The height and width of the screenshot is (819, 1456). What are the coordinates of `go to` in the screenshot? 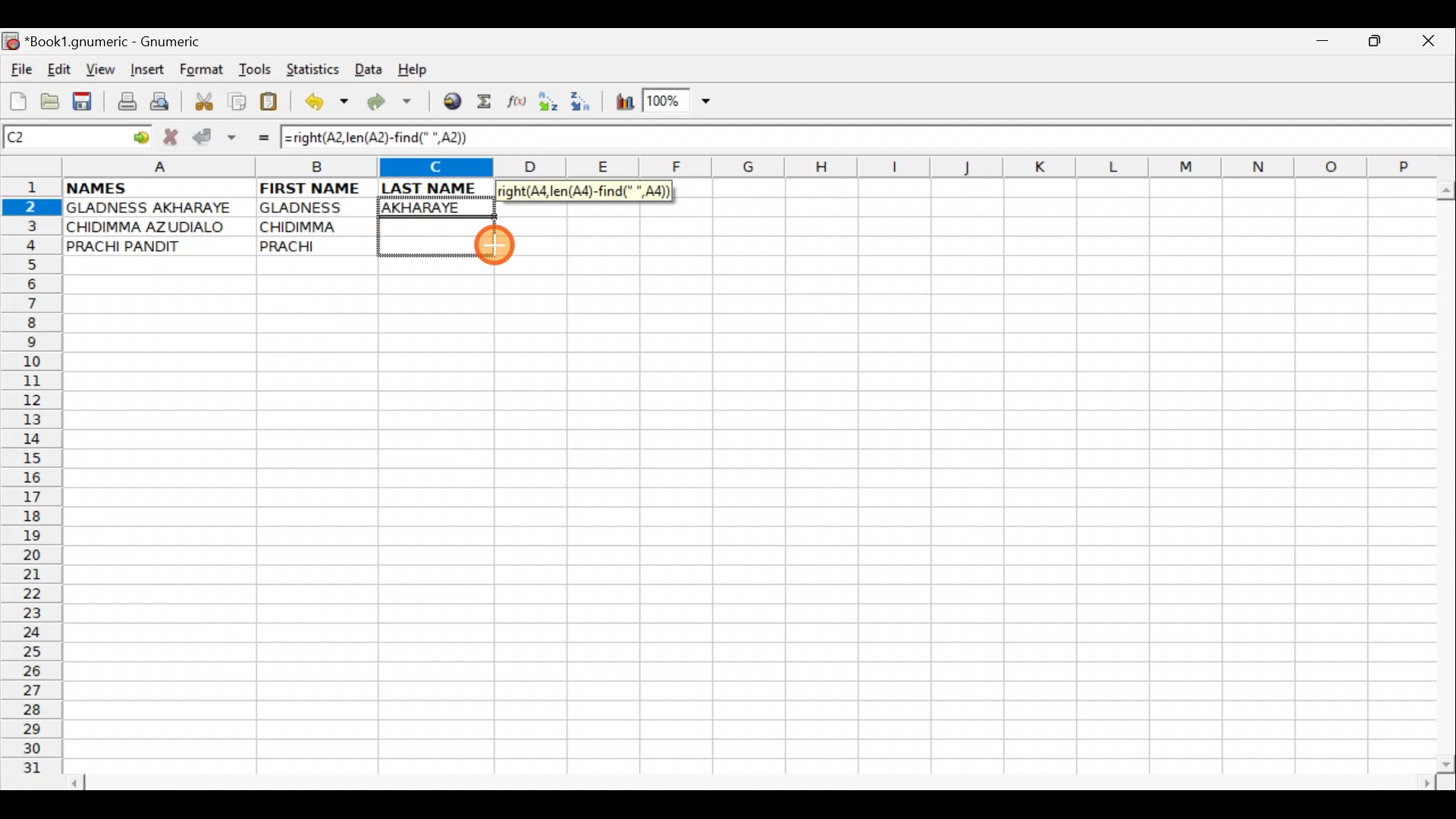 It's located at (140, 135).